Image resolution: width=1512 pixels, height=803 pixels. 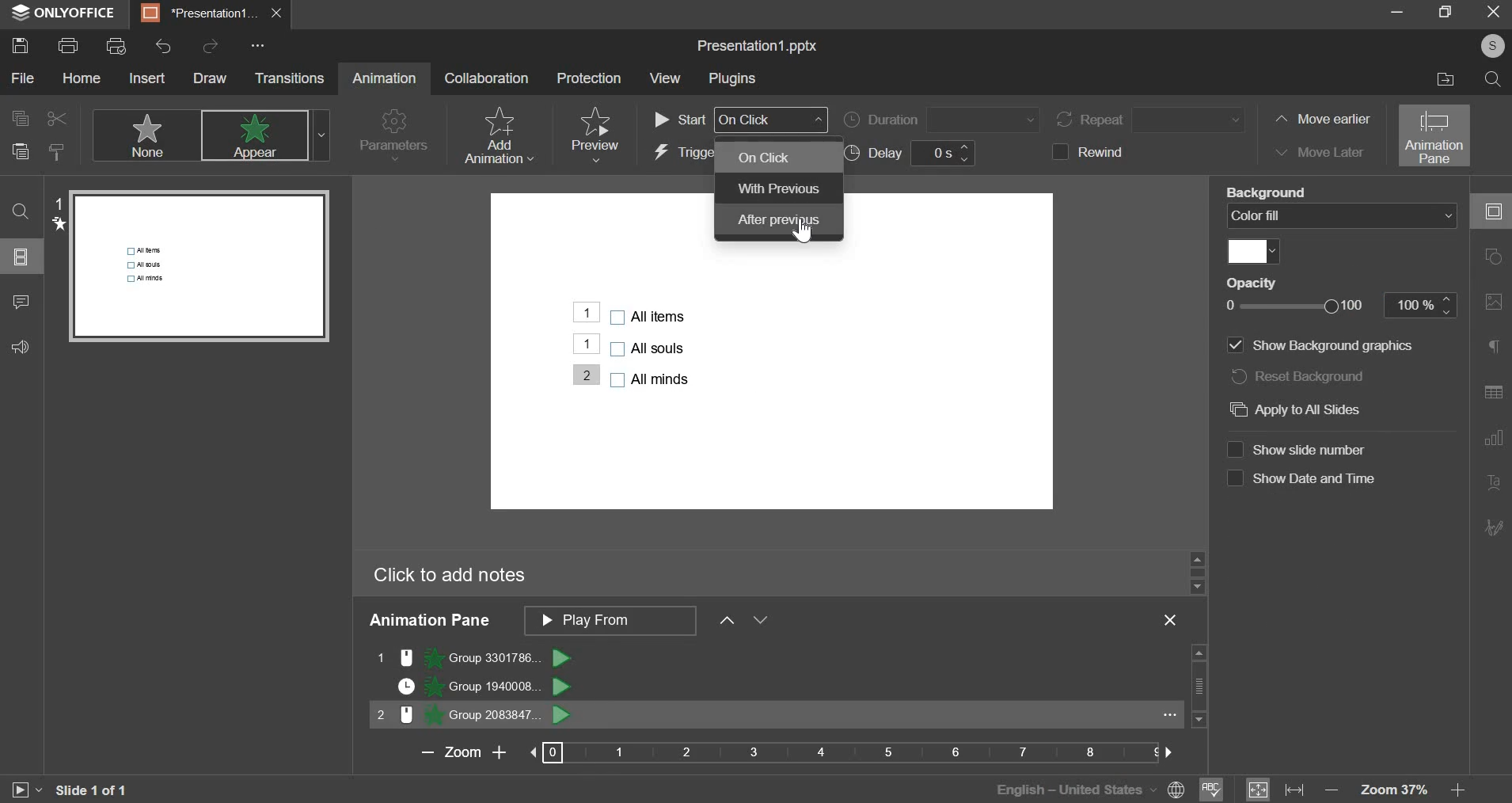 I want to click on draw, so click(x=210, y=78).